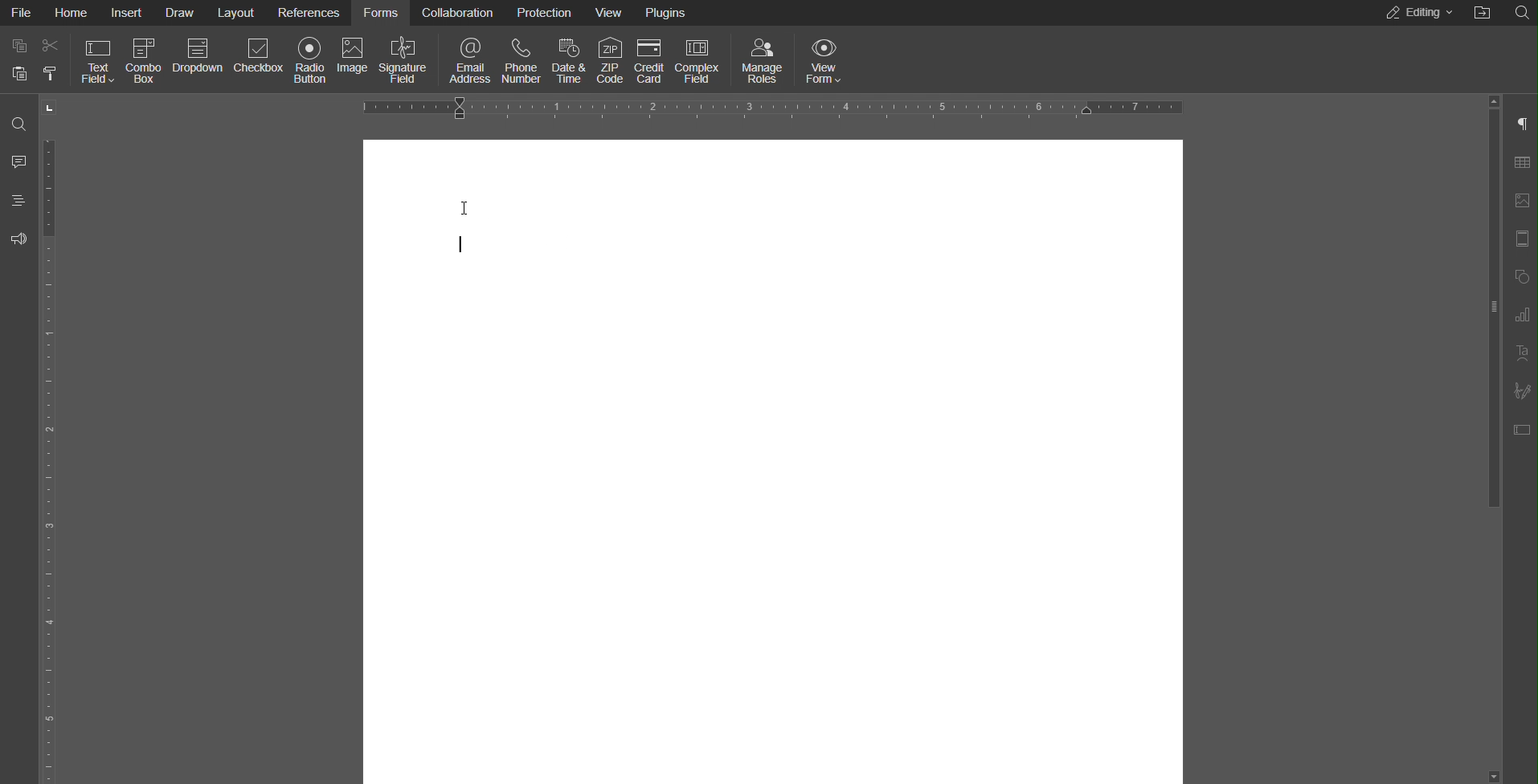 This screenshot has width=1538, height=784. I want to click on Open File Location, so click(1487, 12).